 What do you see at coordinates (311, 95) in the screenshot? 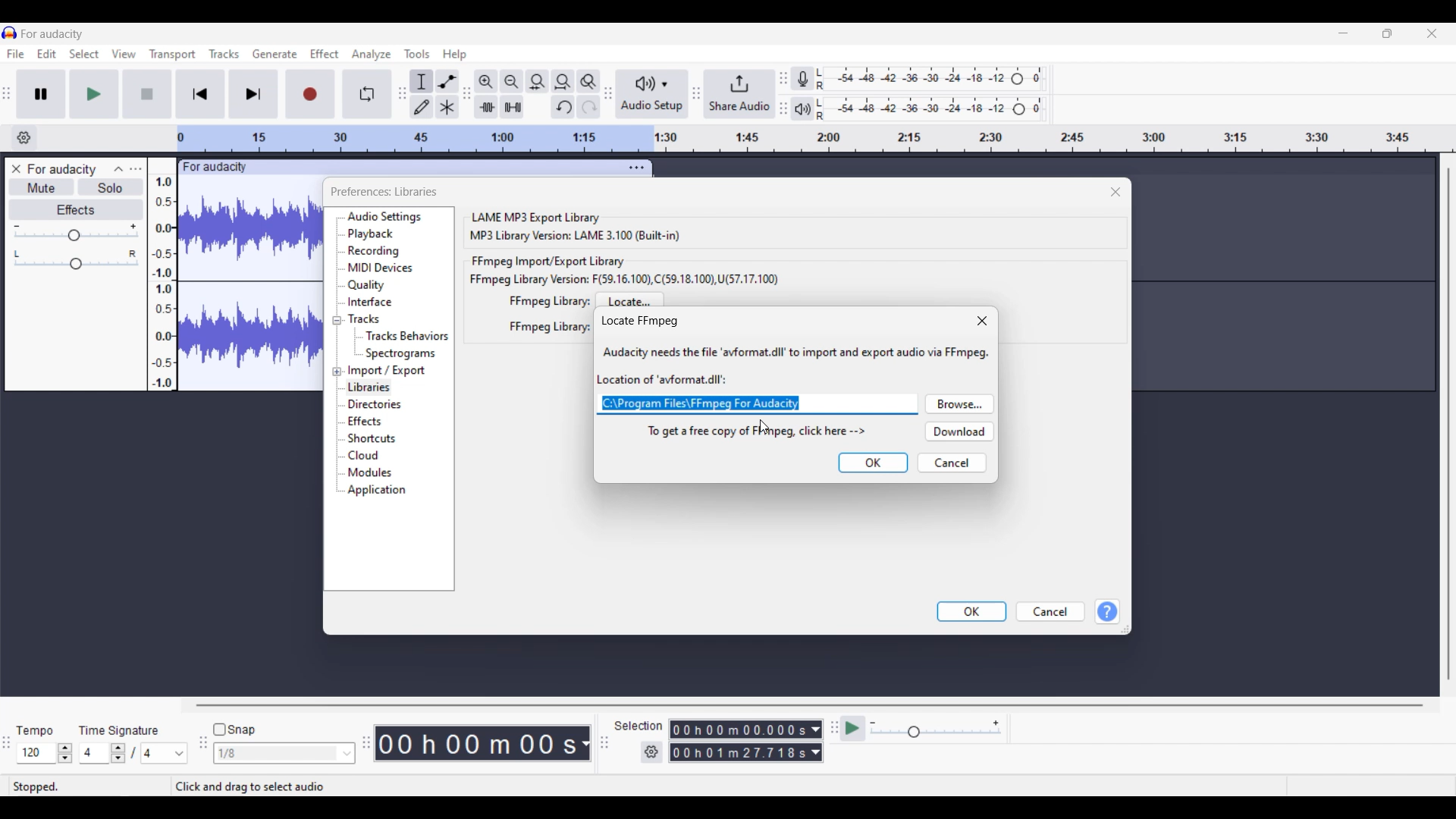
I see `Record/Record new track` at bounding box center [311, 95].